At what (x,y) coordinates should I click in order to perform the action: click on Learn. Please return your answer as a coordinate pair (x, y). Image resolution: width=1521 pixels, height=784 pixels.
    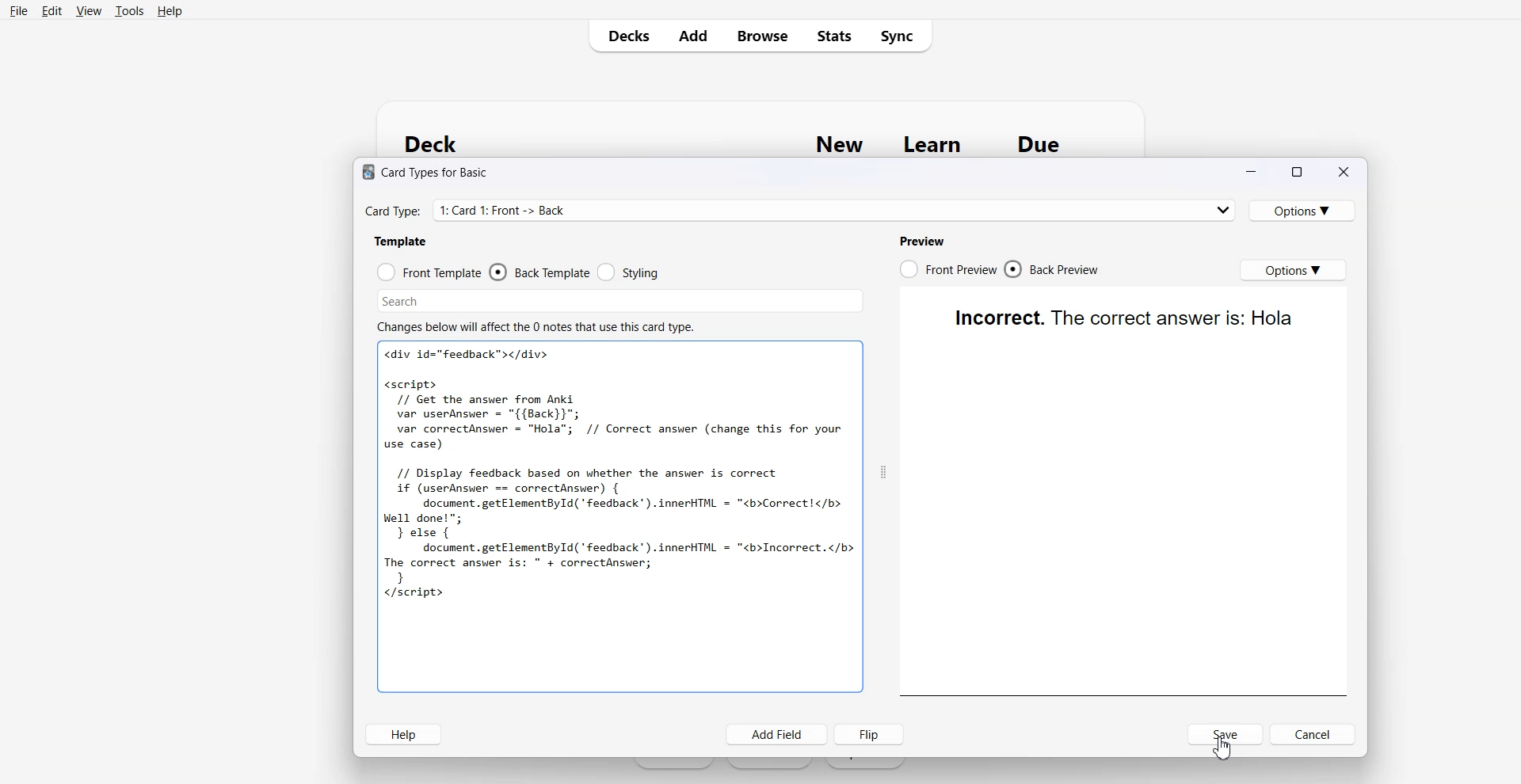
    Looking at the image, I should click on (935, 145).